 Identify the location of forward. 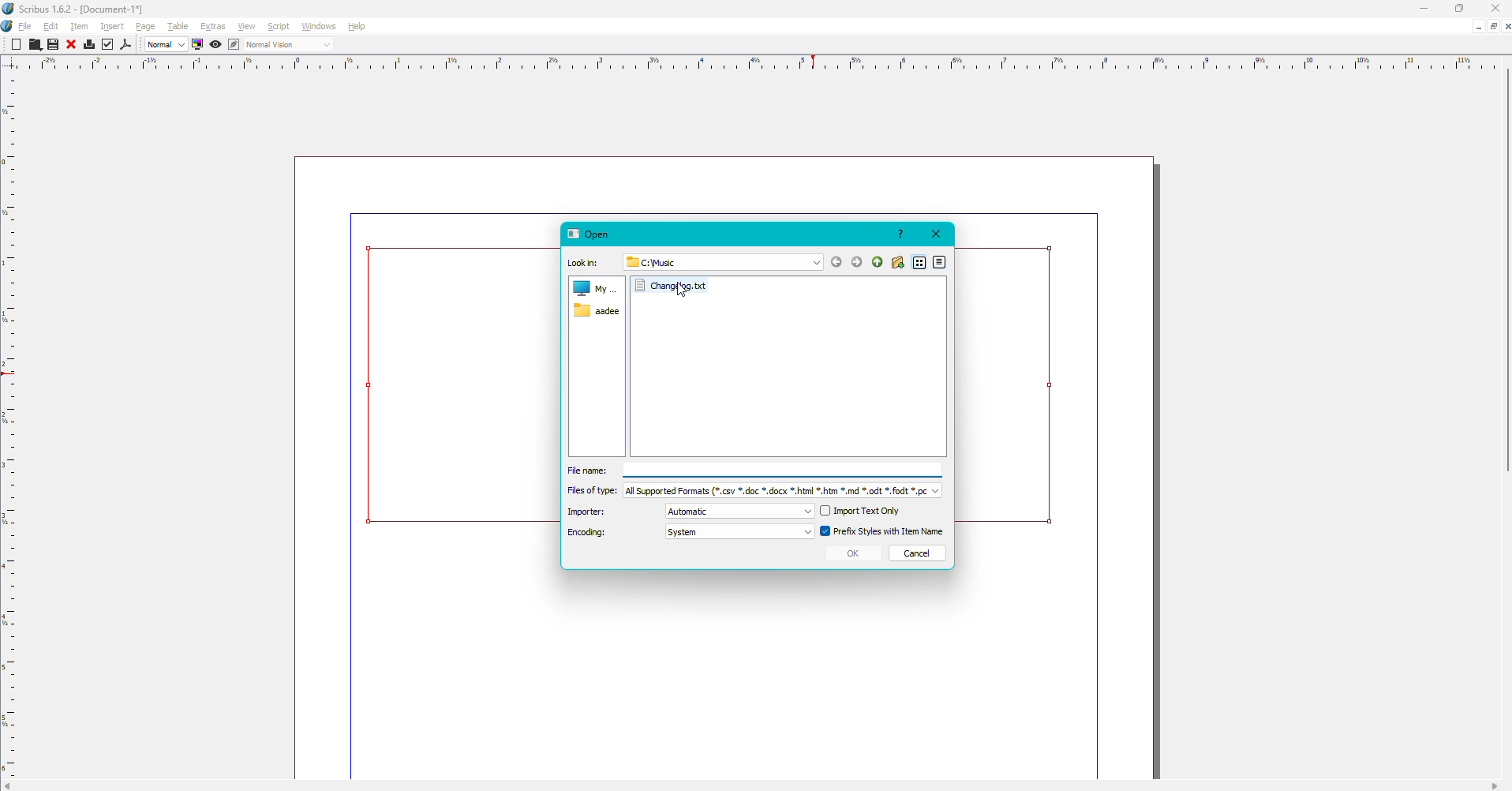
(857, 261).